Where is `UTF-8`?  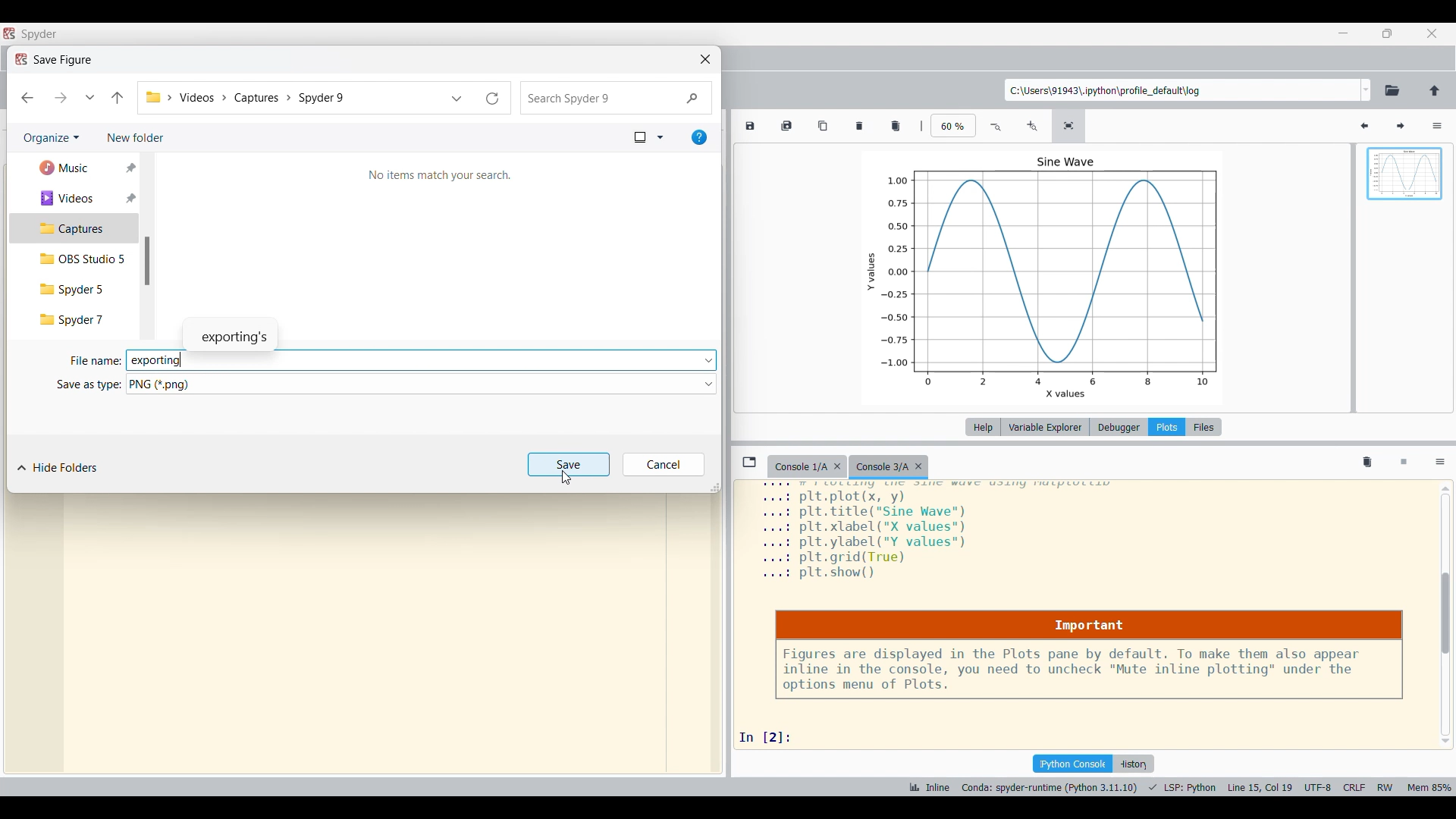 UTF-8 is located at coordinates (1318, 786).